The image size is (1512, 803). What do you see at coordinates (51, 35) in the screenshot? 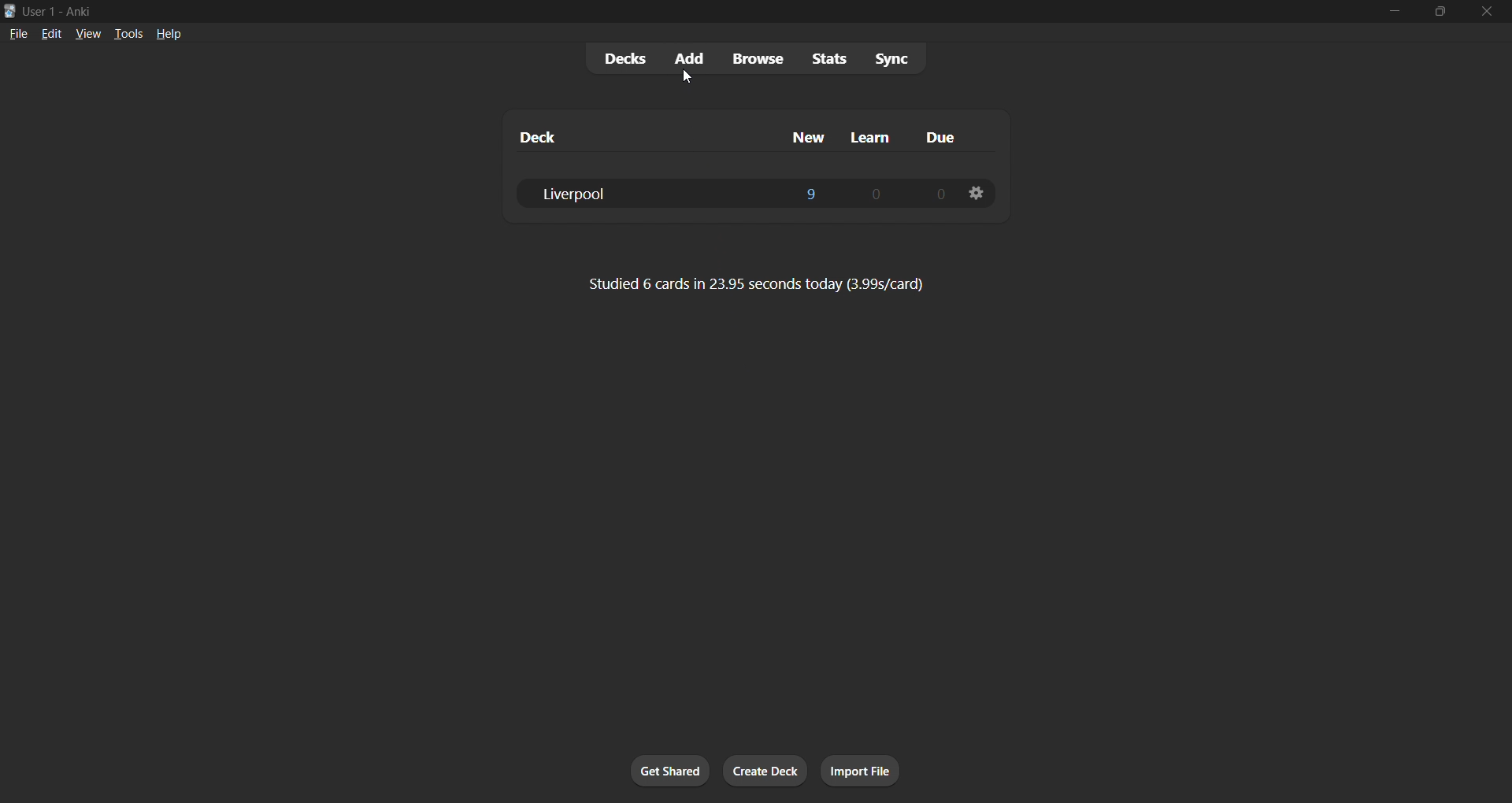
I see `edit` at bounding box center [51, 35].